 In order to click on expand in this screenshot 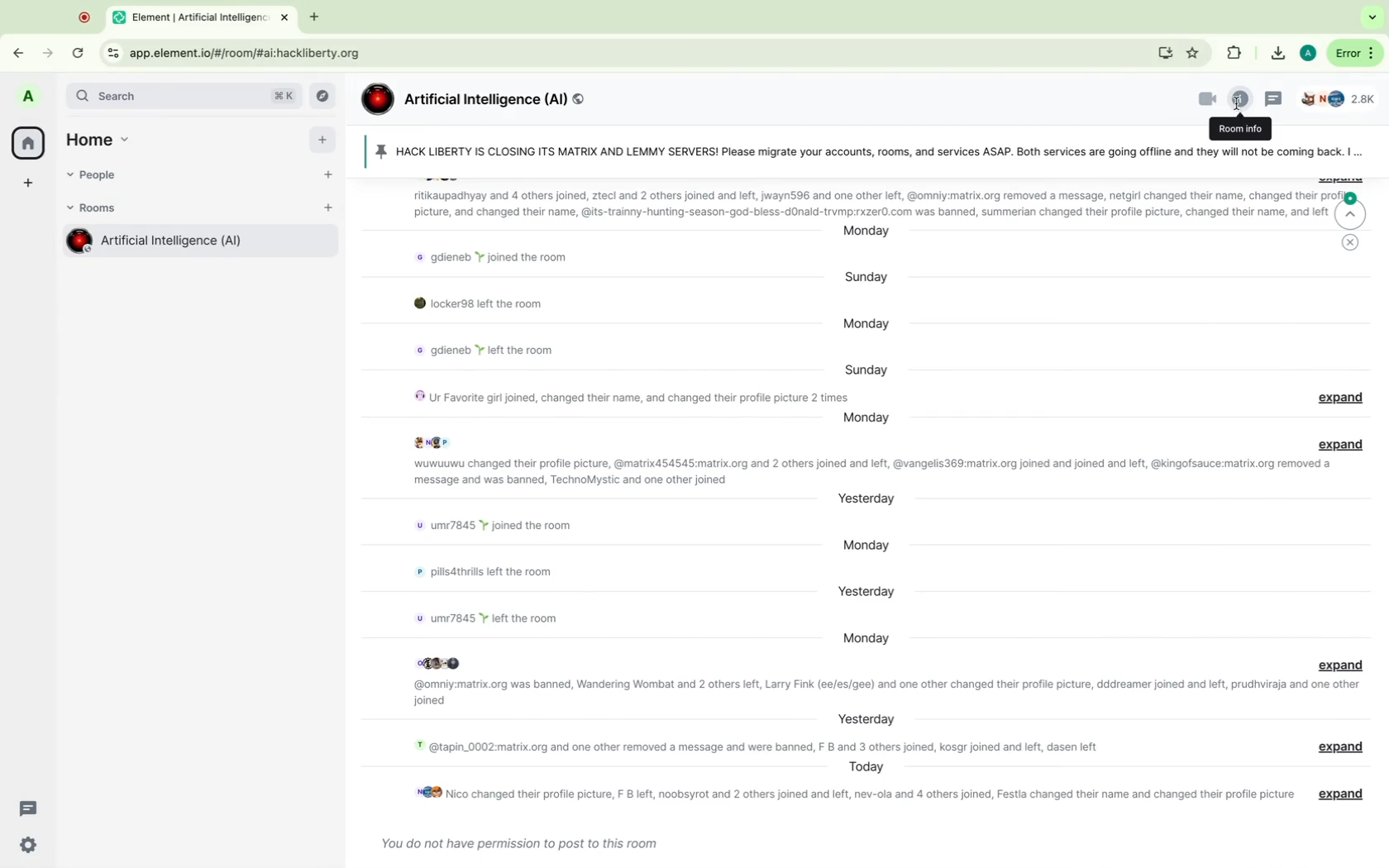, I will do `click(1338, 664)`.